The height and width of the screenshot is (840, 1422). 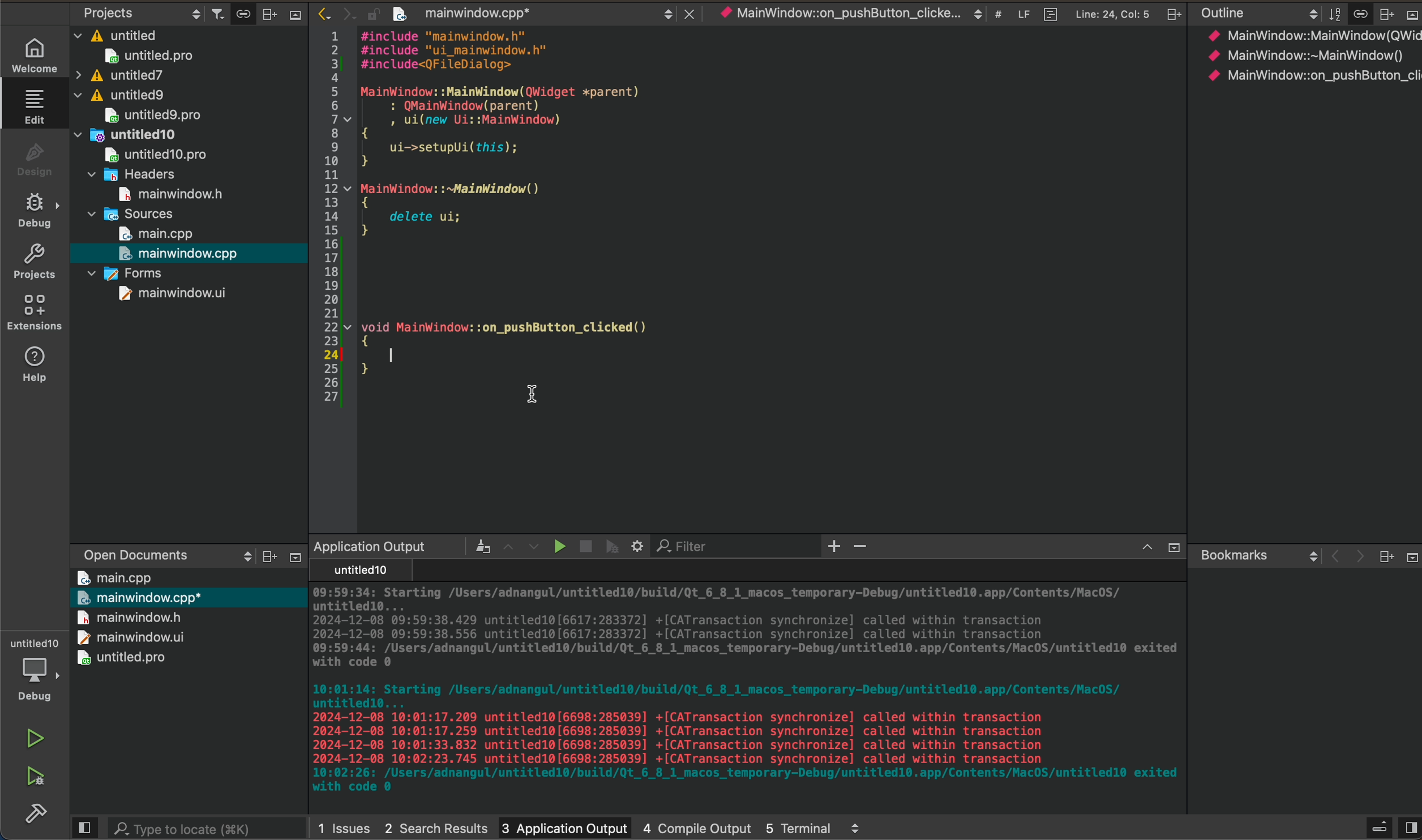 What do you see at coordinates (534, 547) in the screenshot?
I see `down` at bounding box center [534, 547].